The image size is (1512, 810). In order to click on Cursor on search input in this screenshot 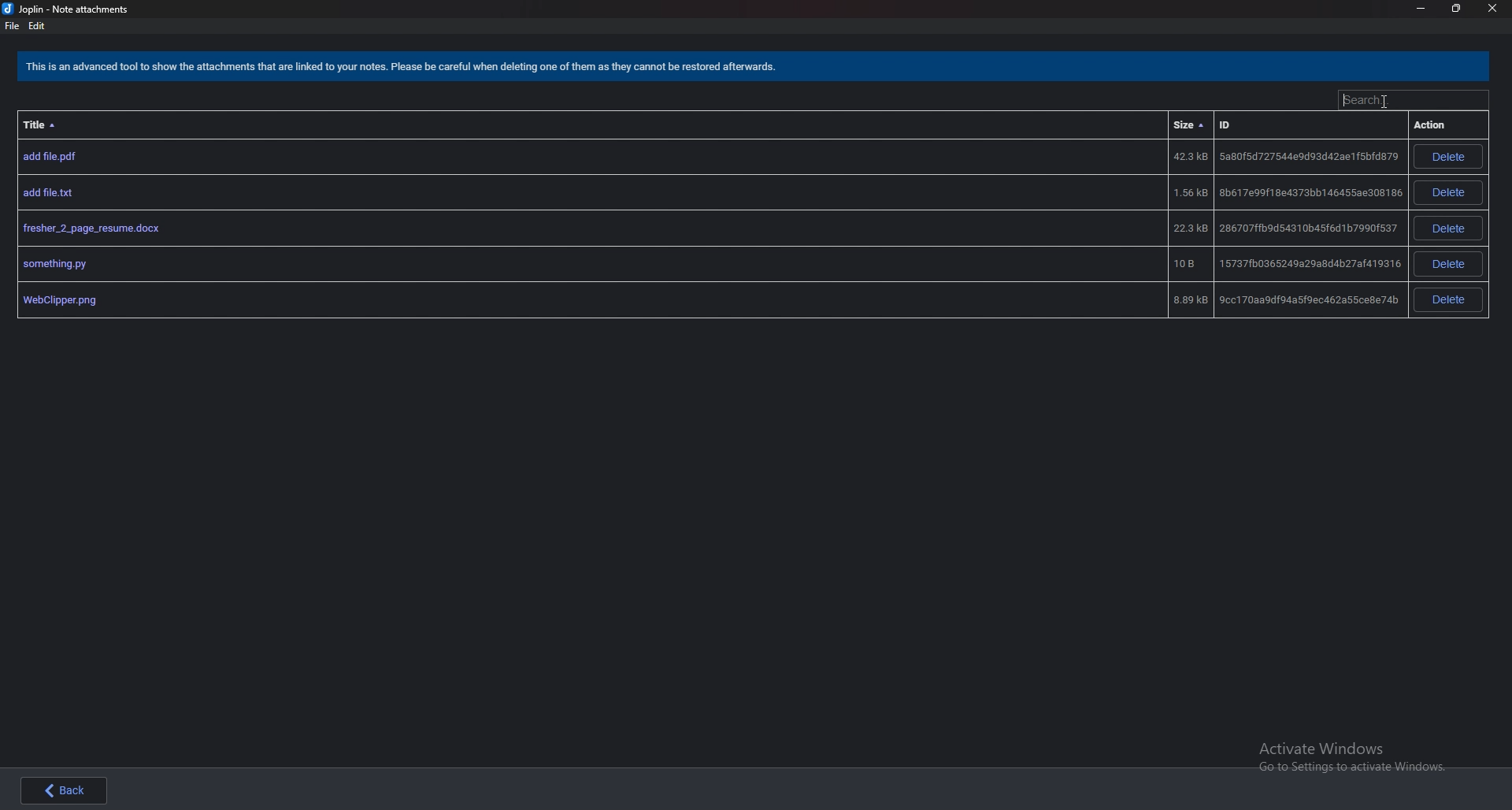, I will do `click(1410, 100)`.